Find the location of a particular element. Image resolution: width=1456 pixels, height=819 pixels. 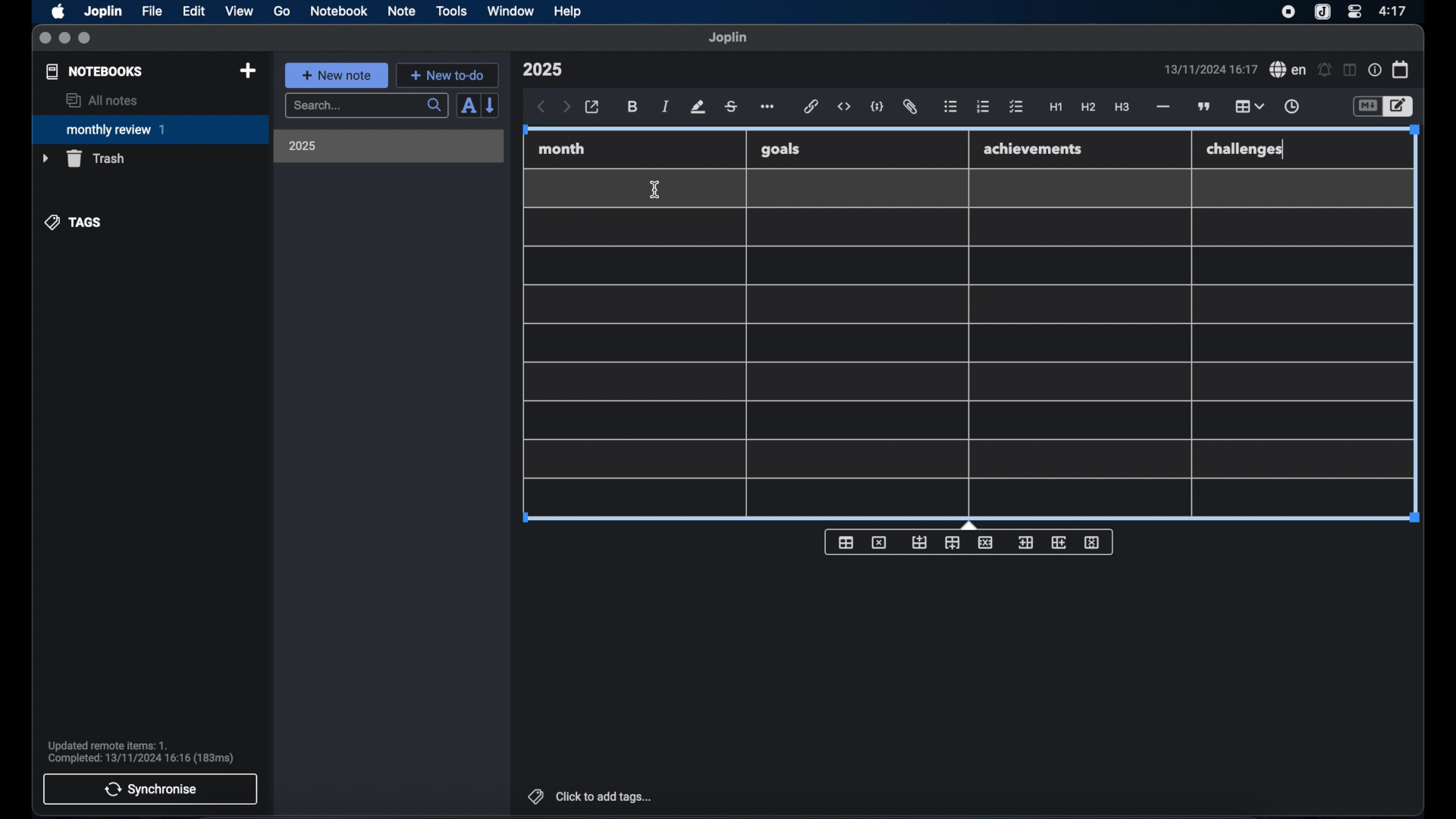

heading 3 is located at coordinates (1122, 108).